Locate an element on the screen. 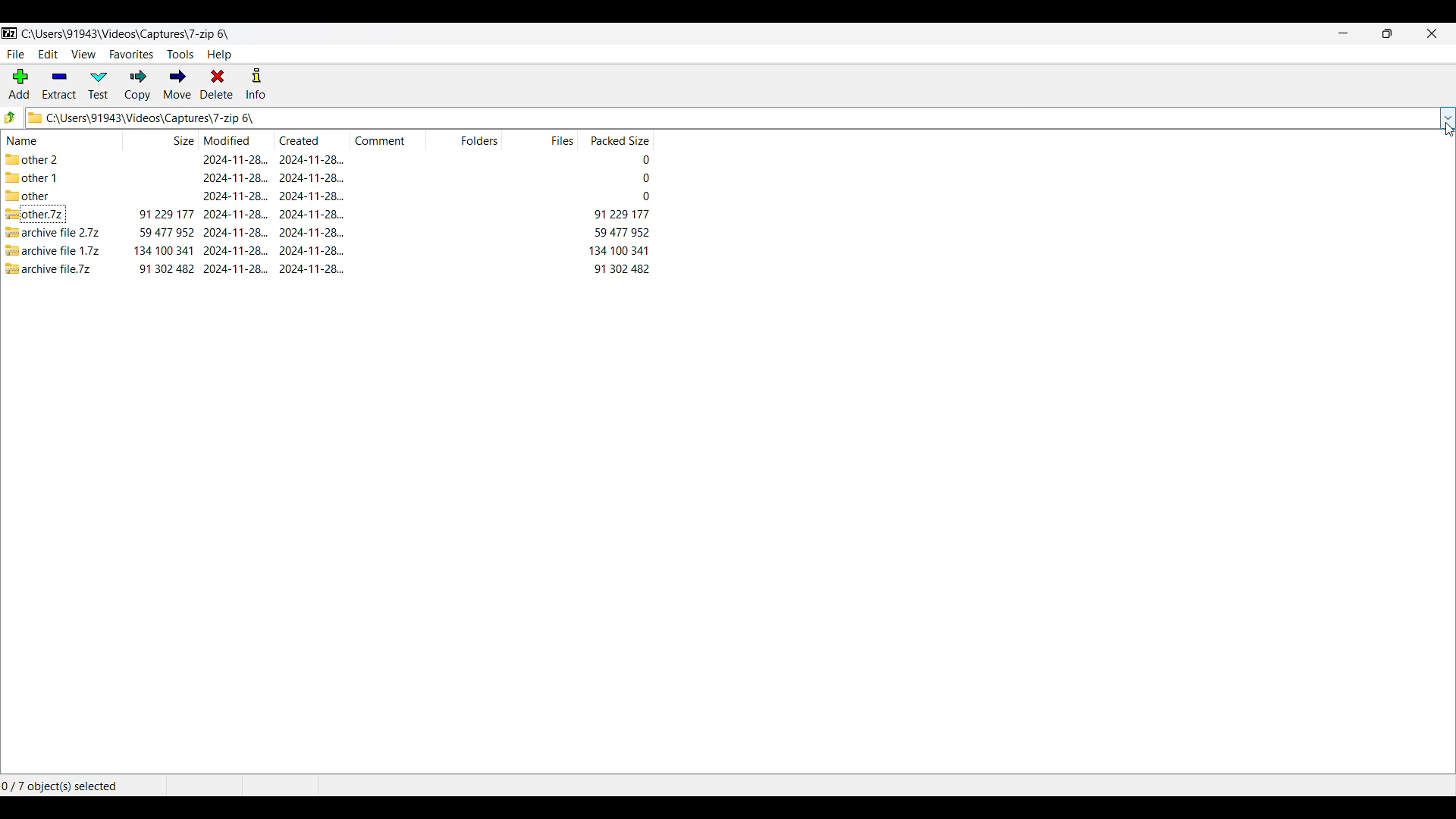 This screenshot has height=819, width=1456. created date & time is located at coordinates (312, 232).